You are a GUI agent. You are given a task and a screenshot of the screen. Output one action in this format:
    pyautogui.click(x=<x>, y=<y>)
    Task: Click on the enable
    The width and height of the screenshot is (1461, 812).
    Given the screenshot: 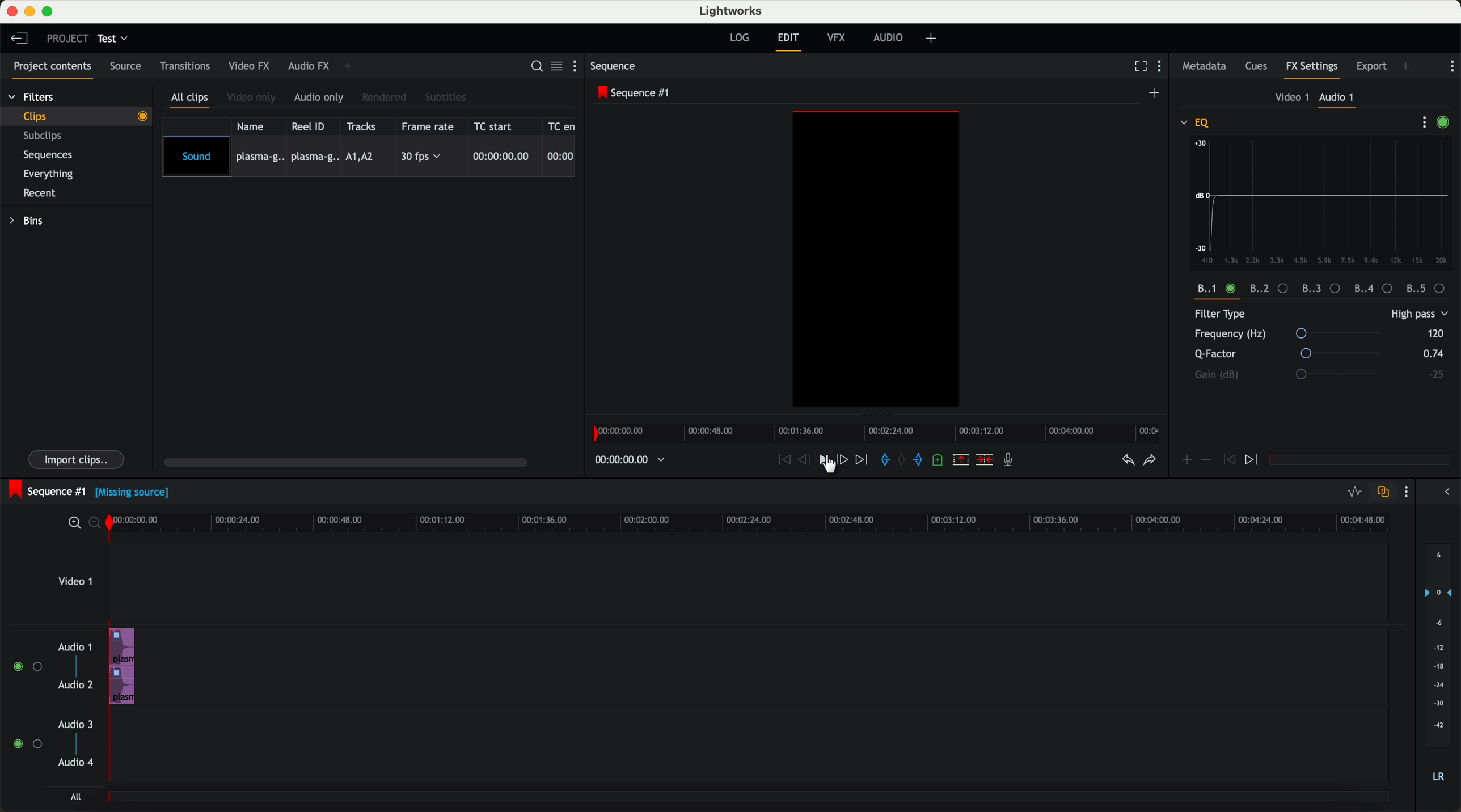 What is the action you would take?
    pyautogui.click(x=1446, y=123)
    